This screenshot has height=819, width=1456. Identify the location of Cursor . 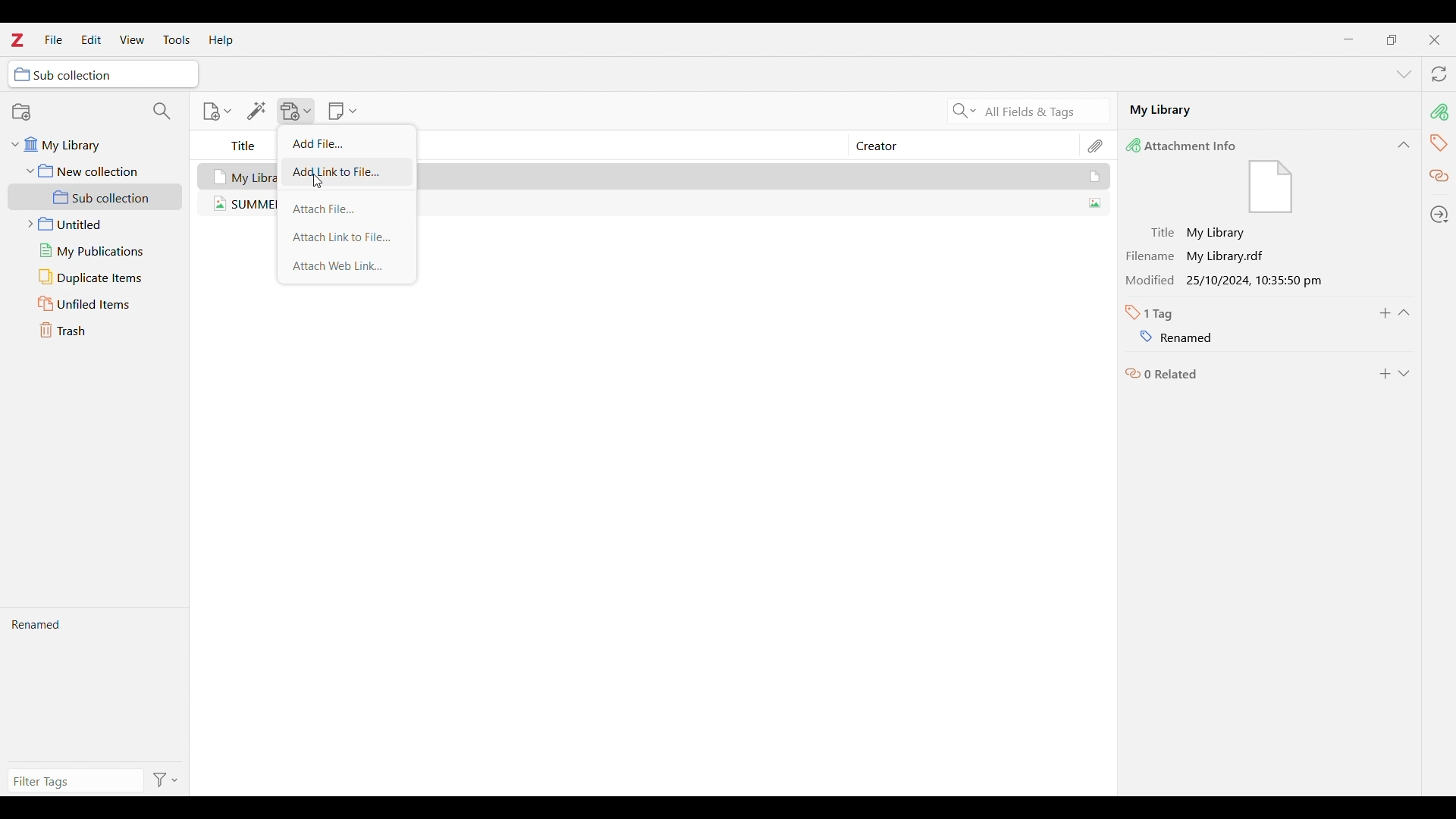
(318, 181).